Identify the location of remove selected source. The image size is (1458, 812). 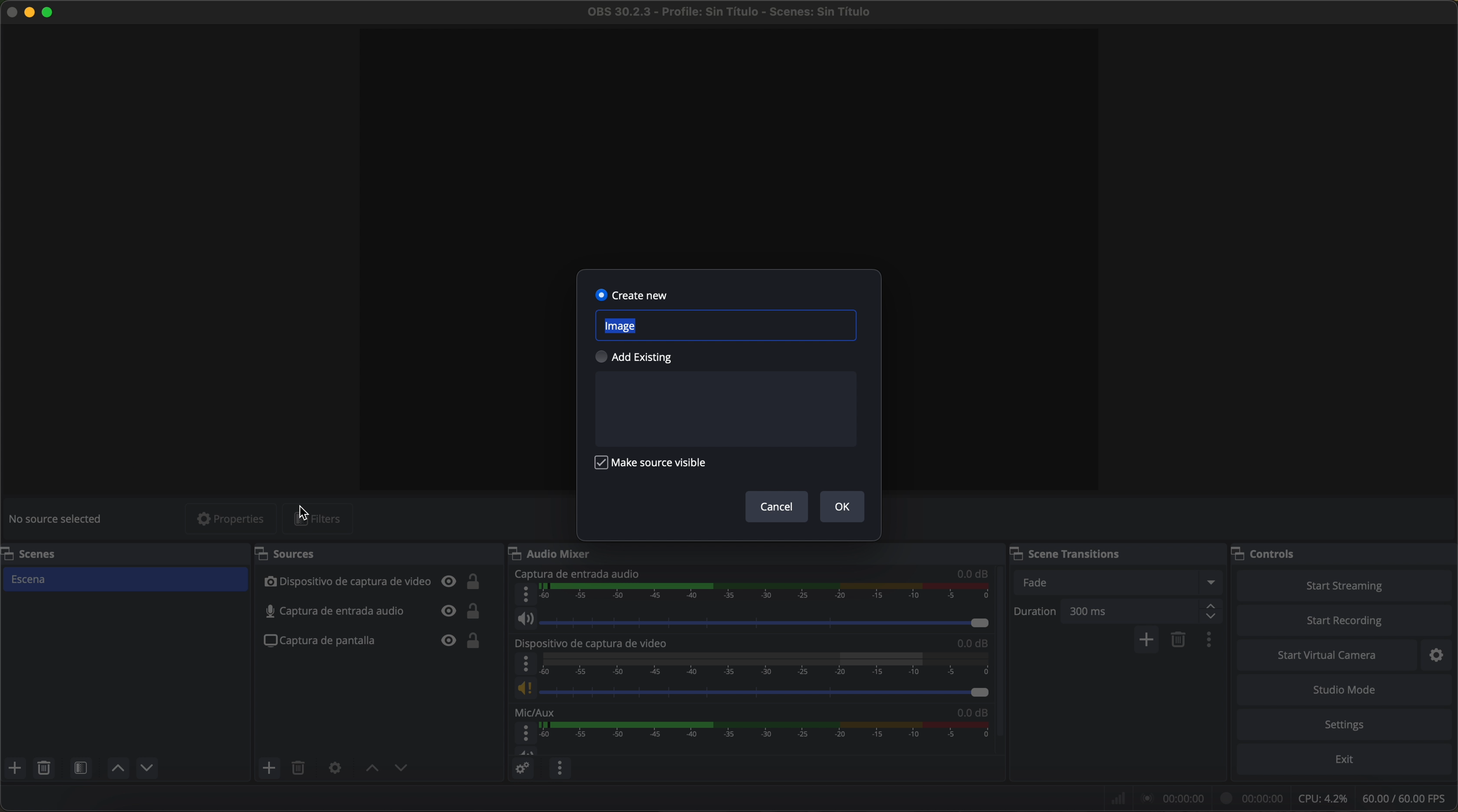
(301, 768).